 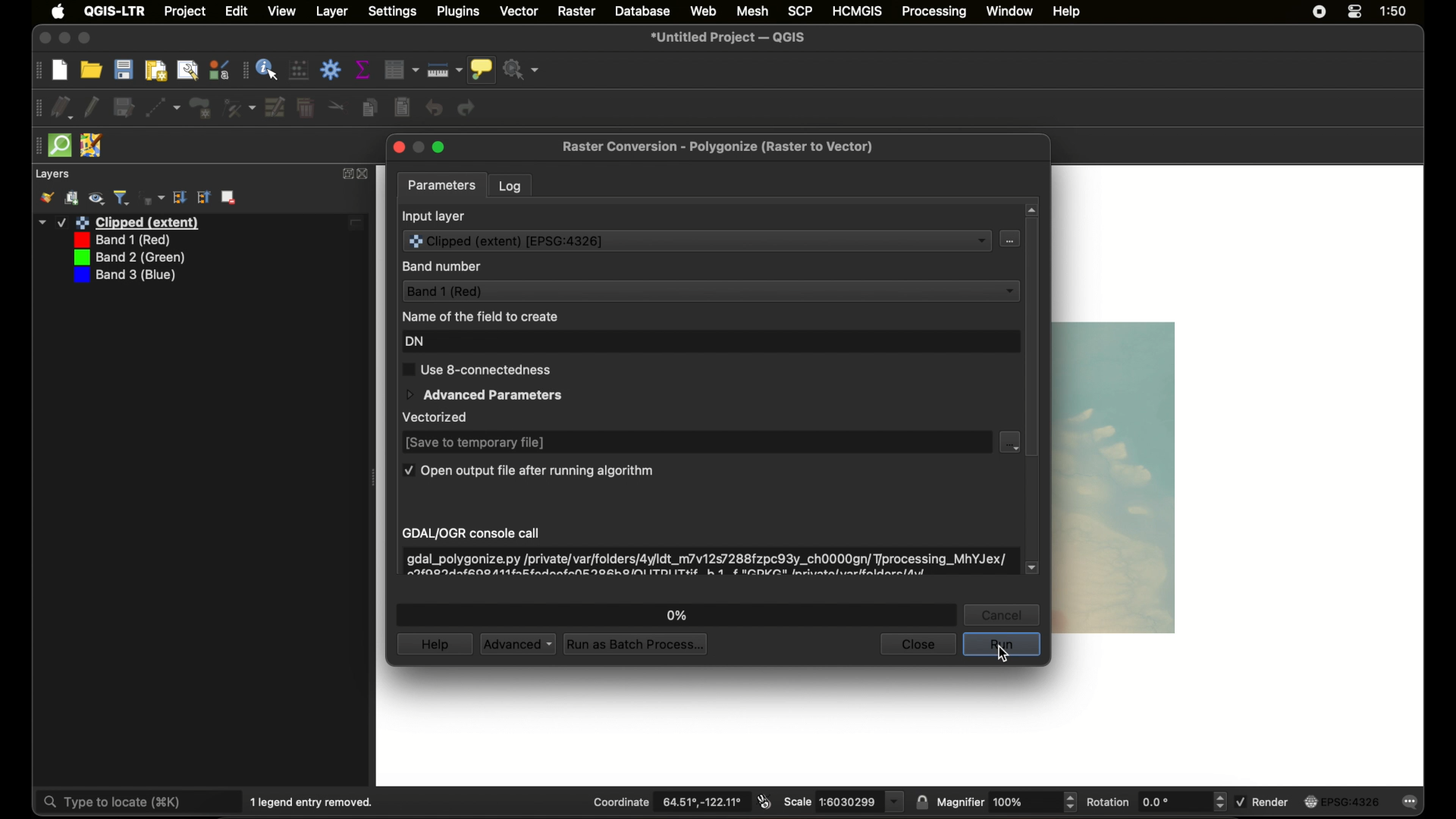 What do you see at coordinates (274, 107) in the screenshot?
I see `modify attributes` at bounding box center [274, 107].